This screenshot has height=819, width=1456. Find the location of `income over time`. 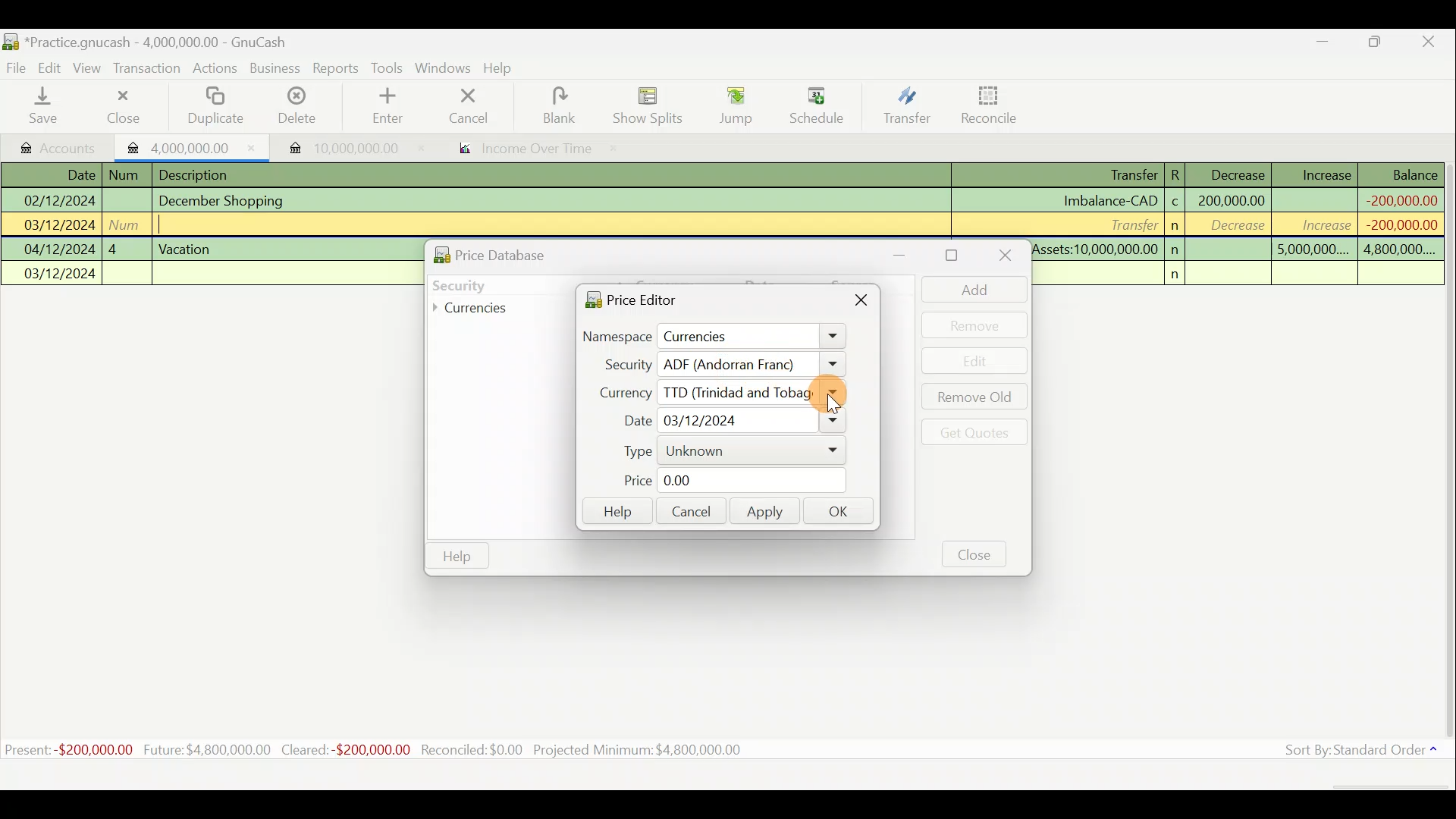

income over time is located at coordinates (536, 149).